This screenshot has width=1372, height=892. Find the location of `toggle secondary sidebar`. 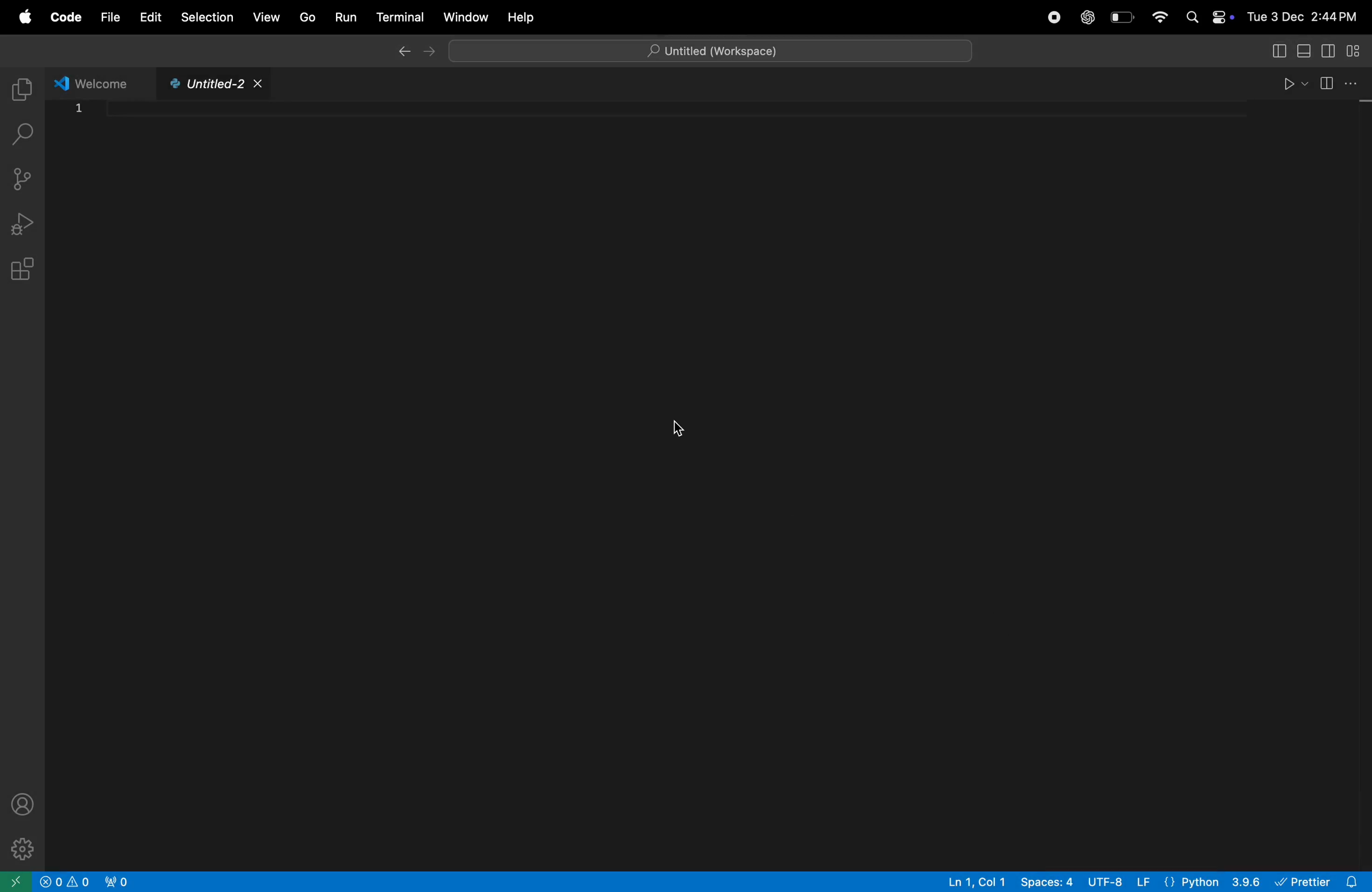

toggle secondary sidebar is located at coordinates (1330, 50).